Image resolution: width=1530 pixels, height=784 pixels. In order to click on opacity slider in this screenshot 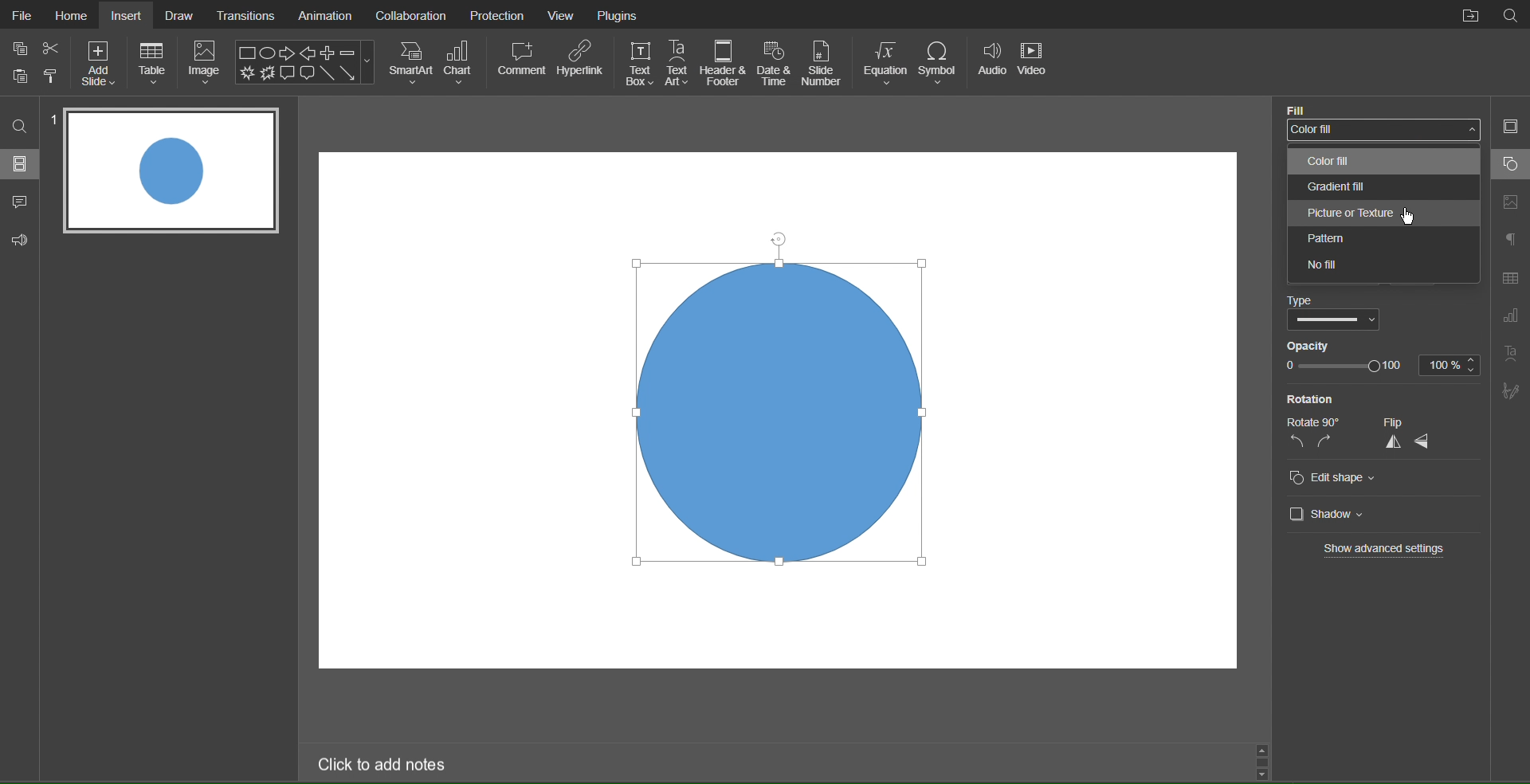, I will do `click(1342, 366)`.